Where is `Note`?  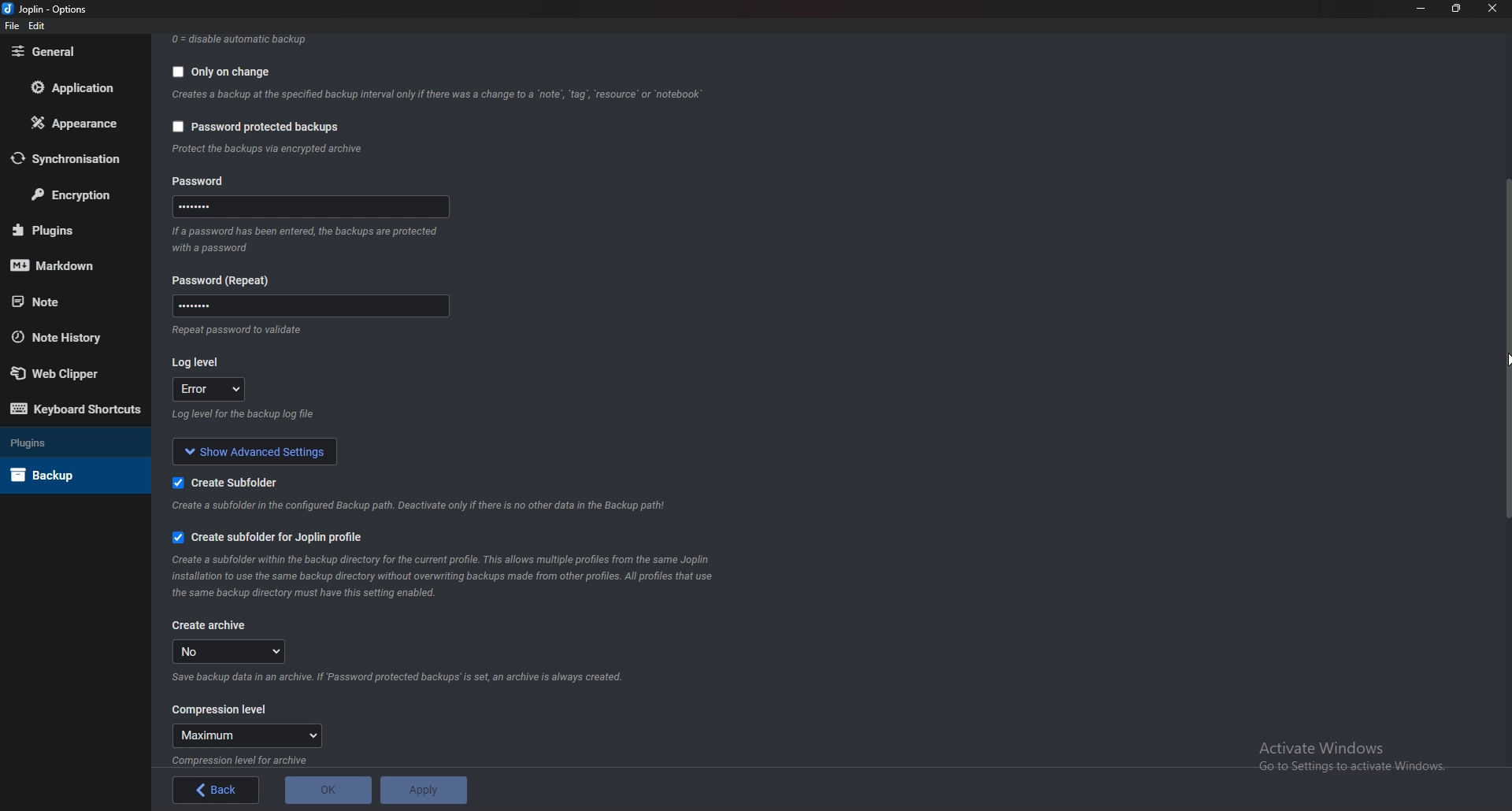
Note is located at coordinates (70, 300).